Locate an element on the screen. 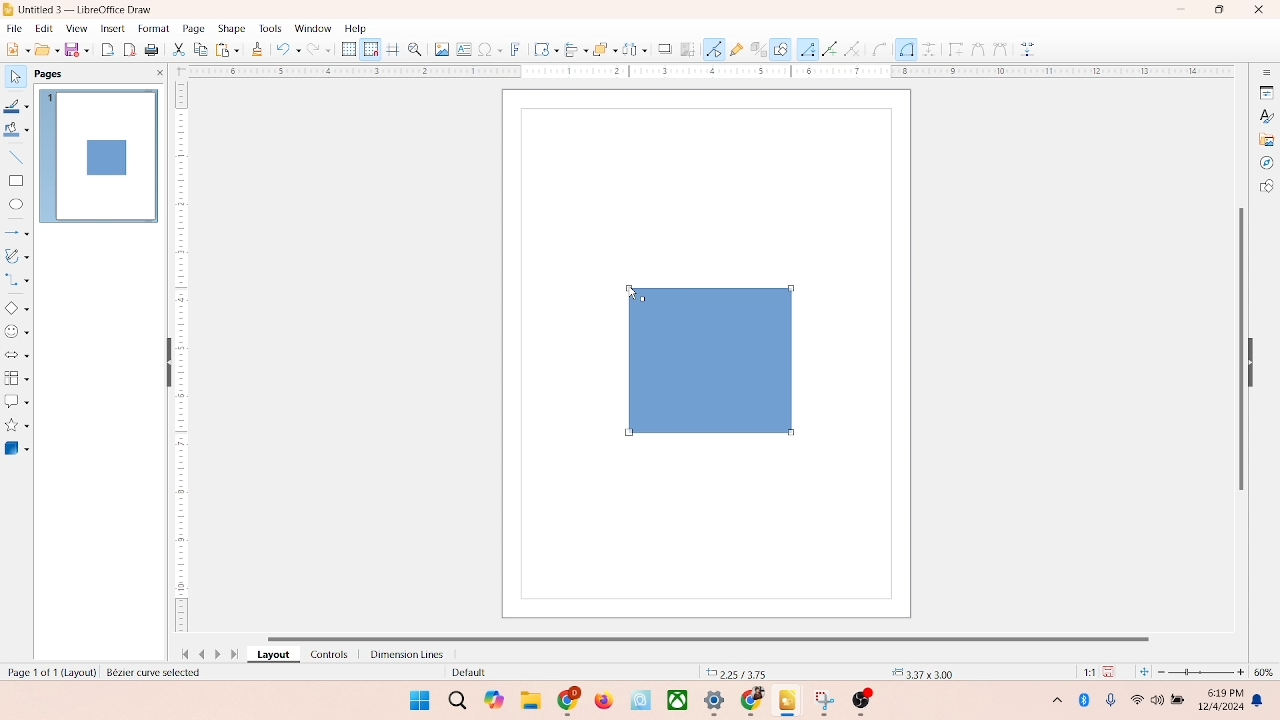  Combine tool is located at coordinates (999, 48).